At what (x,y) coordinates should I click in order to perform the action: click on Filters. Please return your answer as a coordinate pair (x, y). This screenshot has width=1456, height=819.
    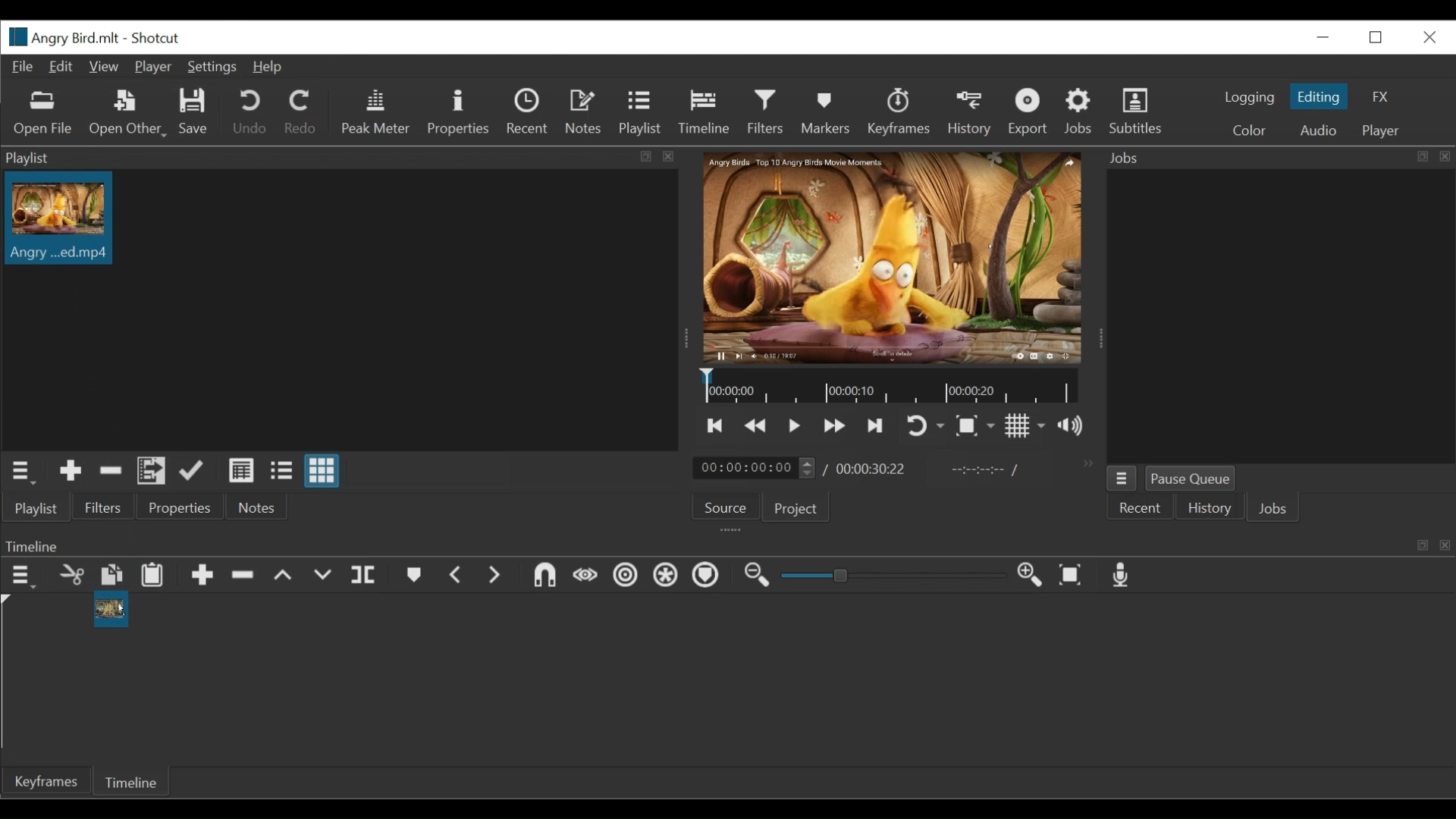
    Looking at the image, I should click on (766, 111).